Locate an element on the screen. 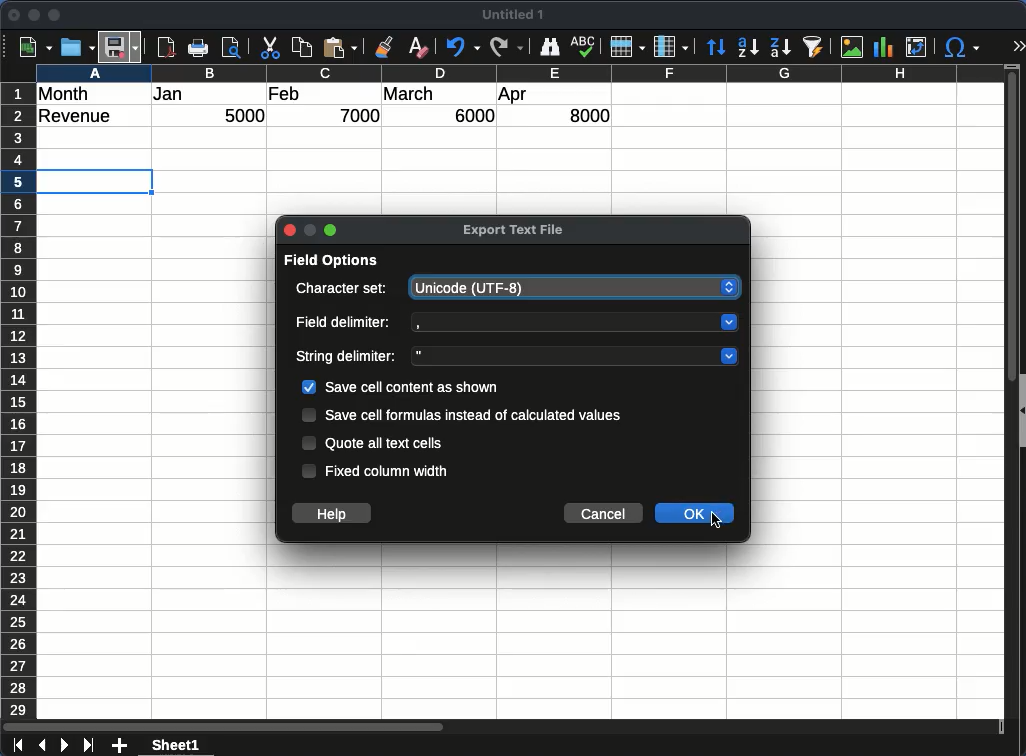  string delimiter is located at coordinates (349, 357).